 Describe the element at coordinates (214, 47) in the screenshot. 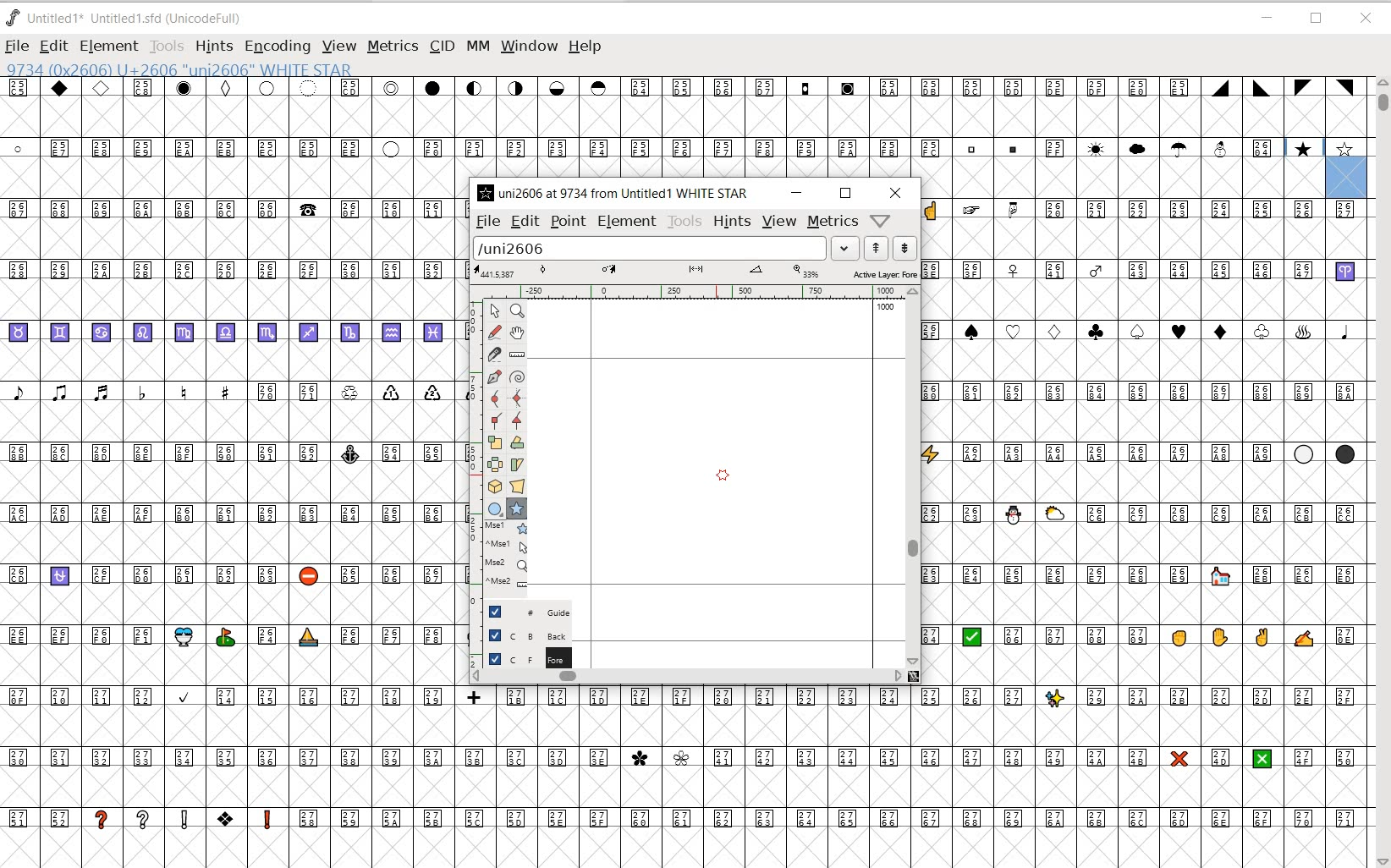

I see `HINTS` at that location.